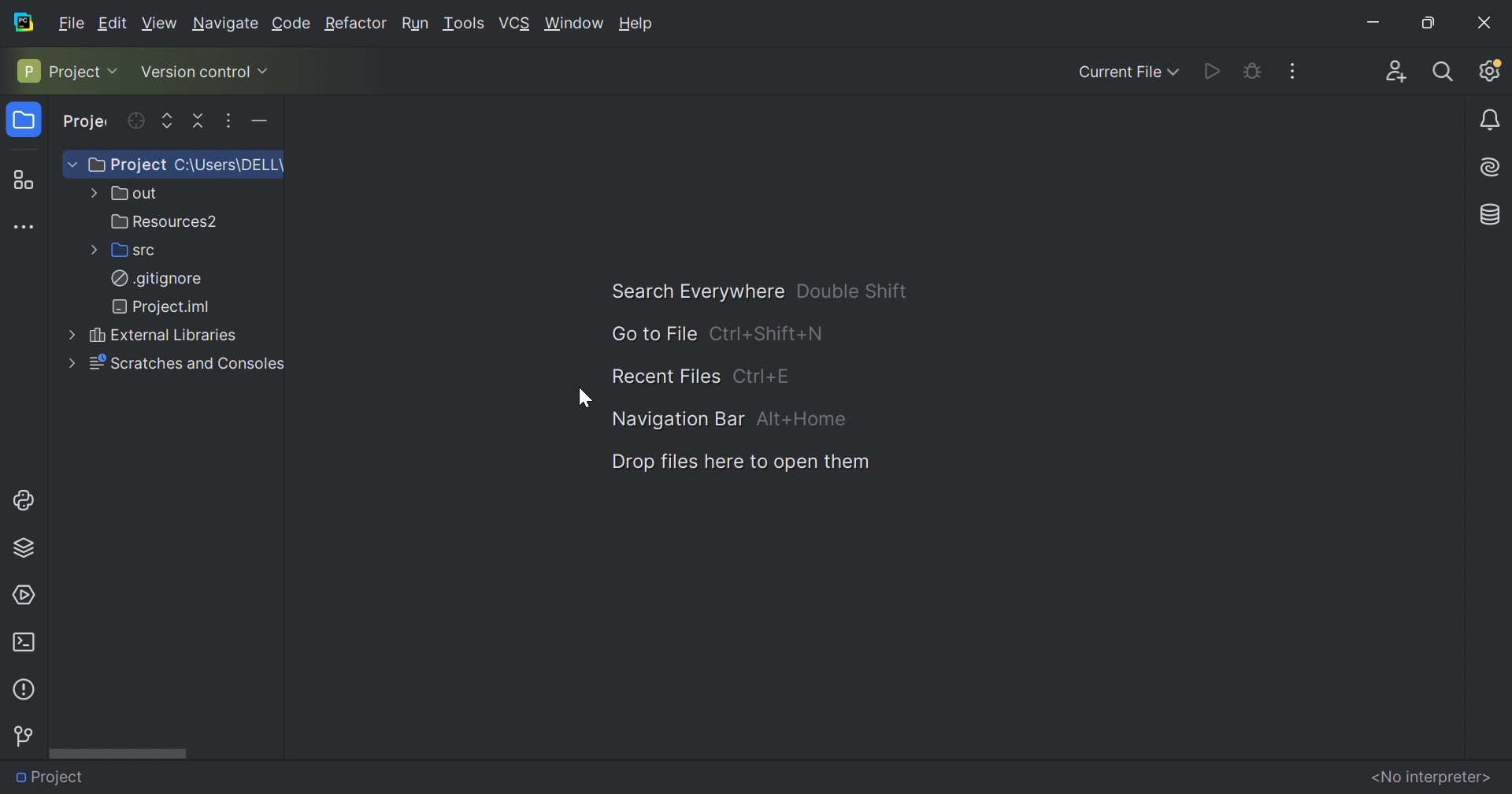 This screenshot has height=794, width=1512. Describe the element at coordinates (126, 165) in the screenshot. I see `Project` at that location.